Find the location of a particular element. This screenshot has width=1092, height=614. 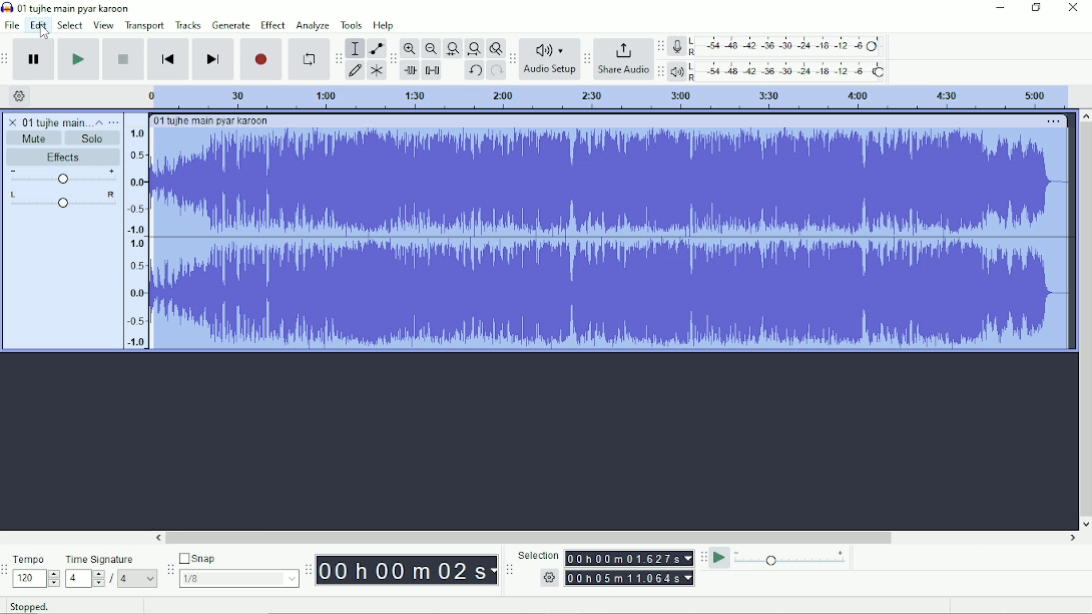

Record meter is located at coordinates (776, 46).